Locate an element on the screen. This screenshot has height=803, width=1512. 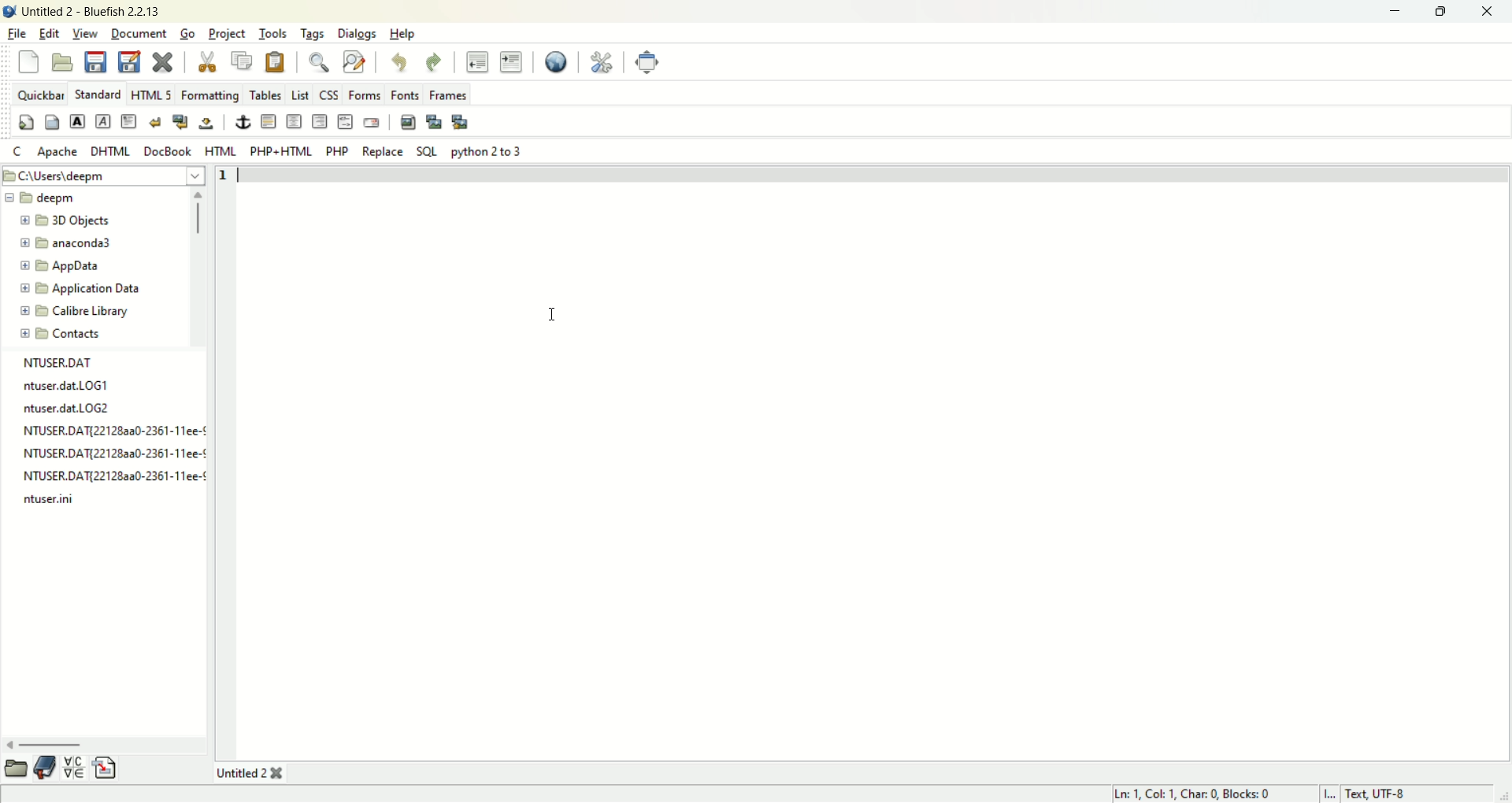
formatting is located at coordinates (212, 94).